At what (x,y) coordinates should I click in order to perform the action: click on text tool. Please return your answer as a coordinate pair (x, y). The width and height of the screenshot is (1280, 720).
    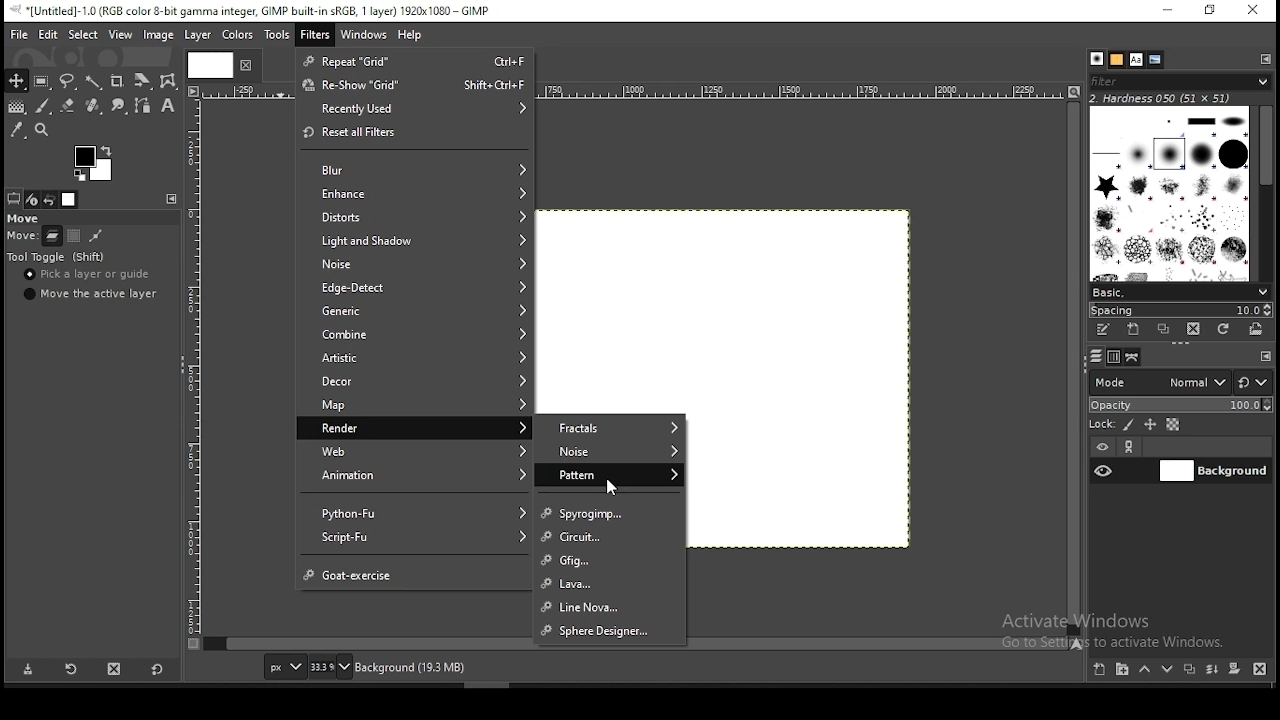
    Looking at the image, I should click on (168, 106).